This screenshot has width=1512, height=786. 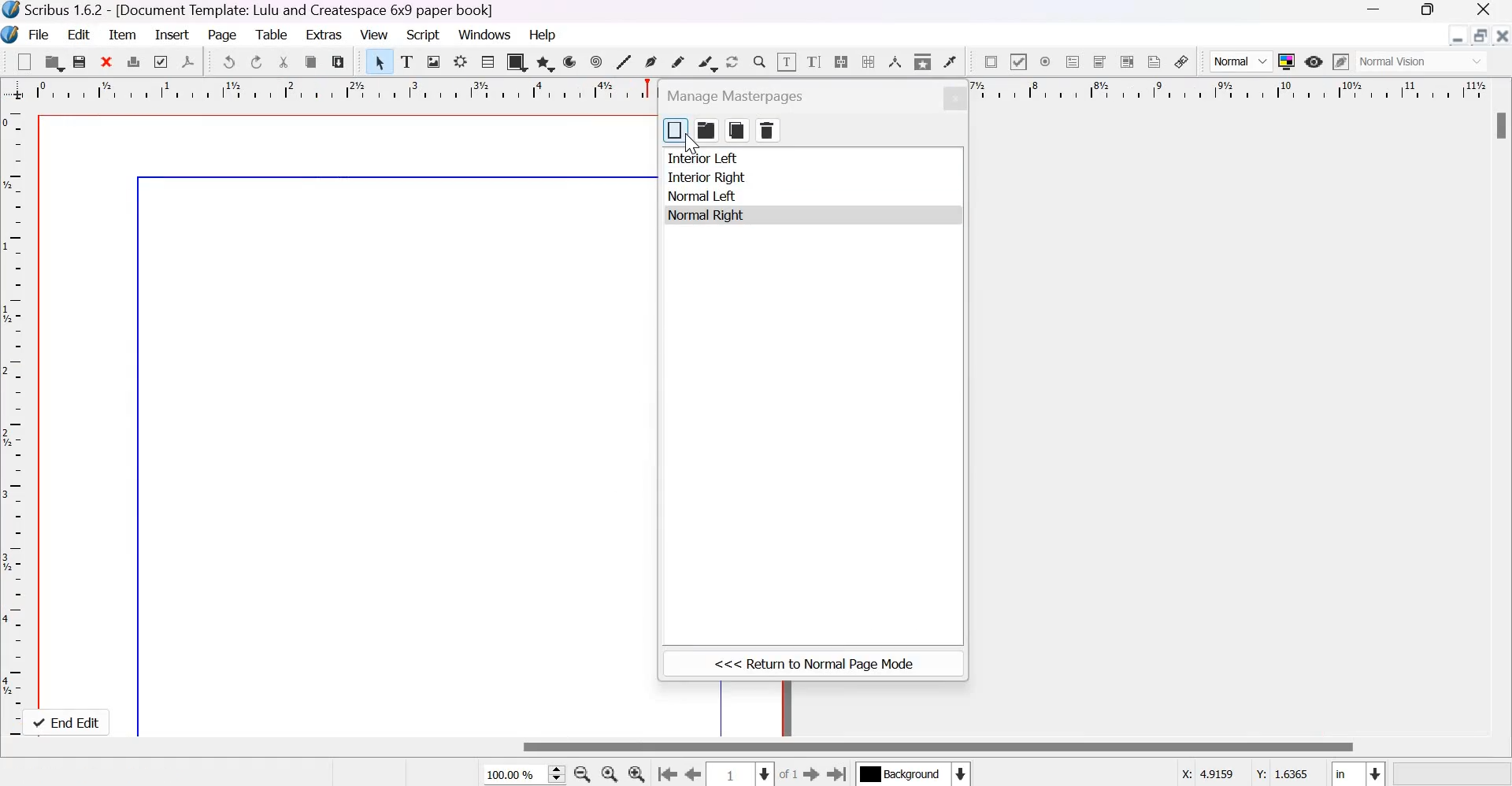 What do you see at coordinates (107, 62) in the screenshot?
I see `close` at bounding box center [107, 62].